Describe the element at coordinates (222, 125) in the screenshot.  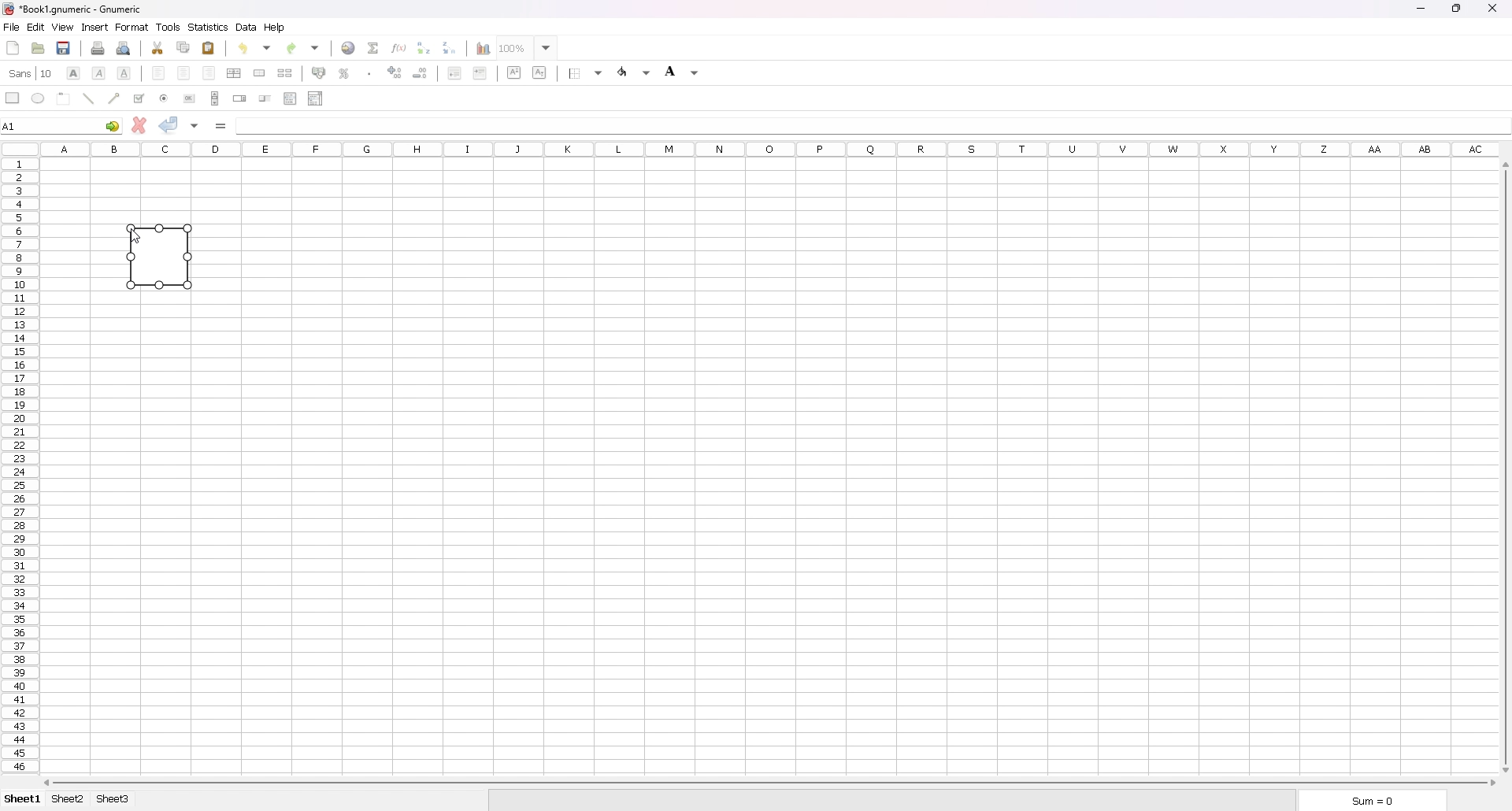
I see `formula` at that location.